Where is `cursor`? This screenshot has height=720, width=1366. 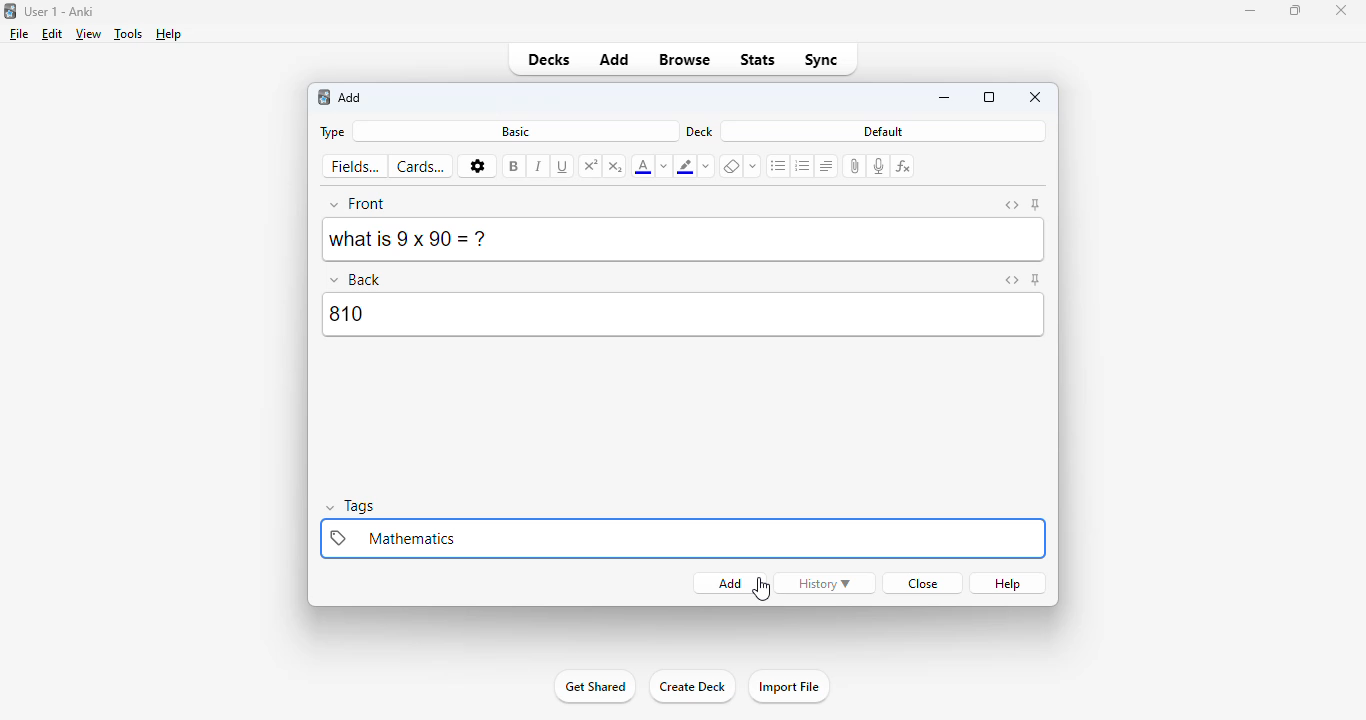
cursor is located at coordinates (762, 588).